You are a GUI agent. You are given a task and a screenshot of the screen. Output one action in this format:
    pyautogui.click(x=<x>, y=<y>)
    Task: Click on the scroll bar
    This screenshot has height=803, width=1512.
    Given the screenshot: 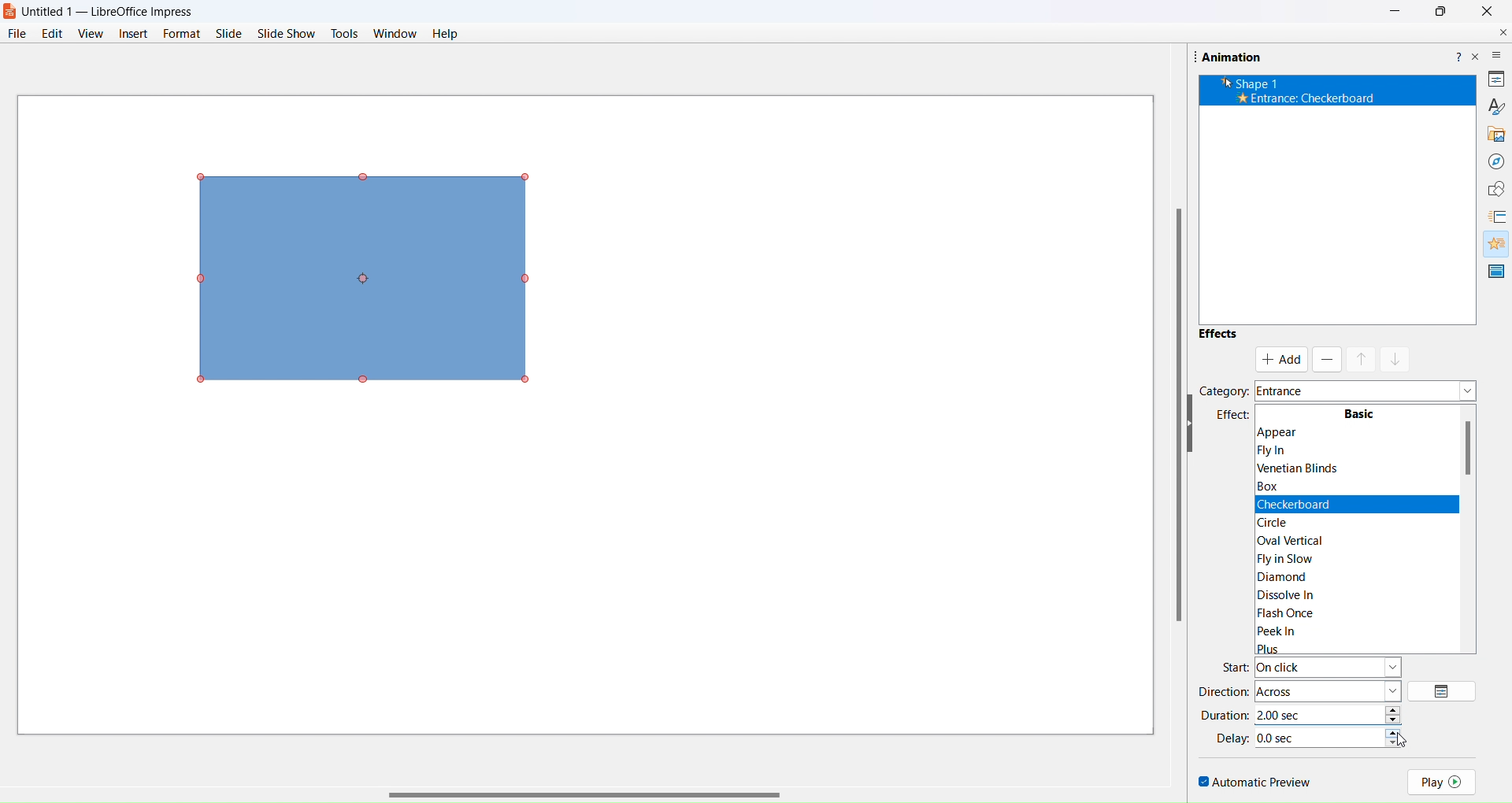 What is the action you would take?
    pyautogui.click(x=584, y=787)
    